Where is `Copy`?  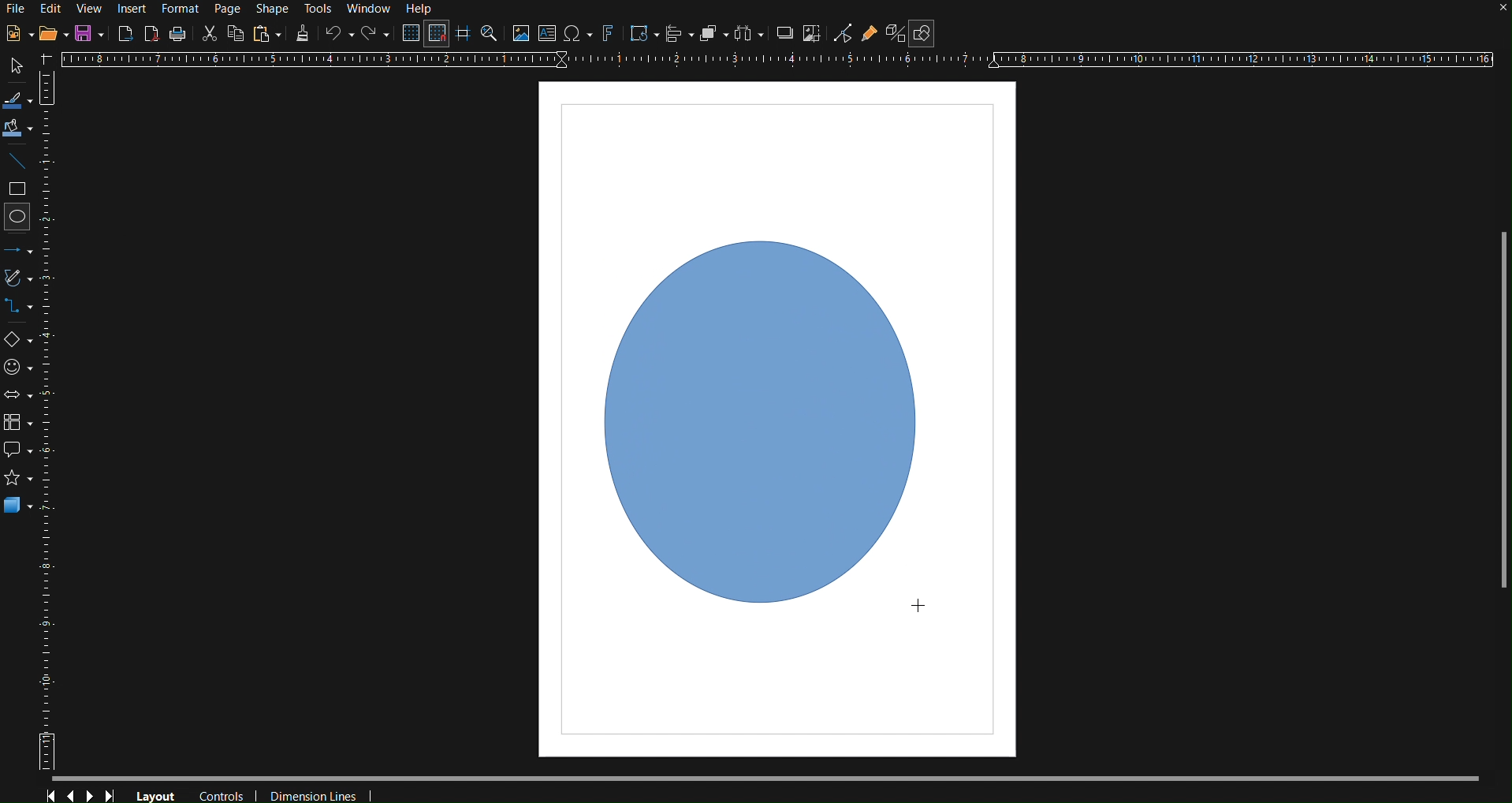
Copy is located at coordinates (236, 33).